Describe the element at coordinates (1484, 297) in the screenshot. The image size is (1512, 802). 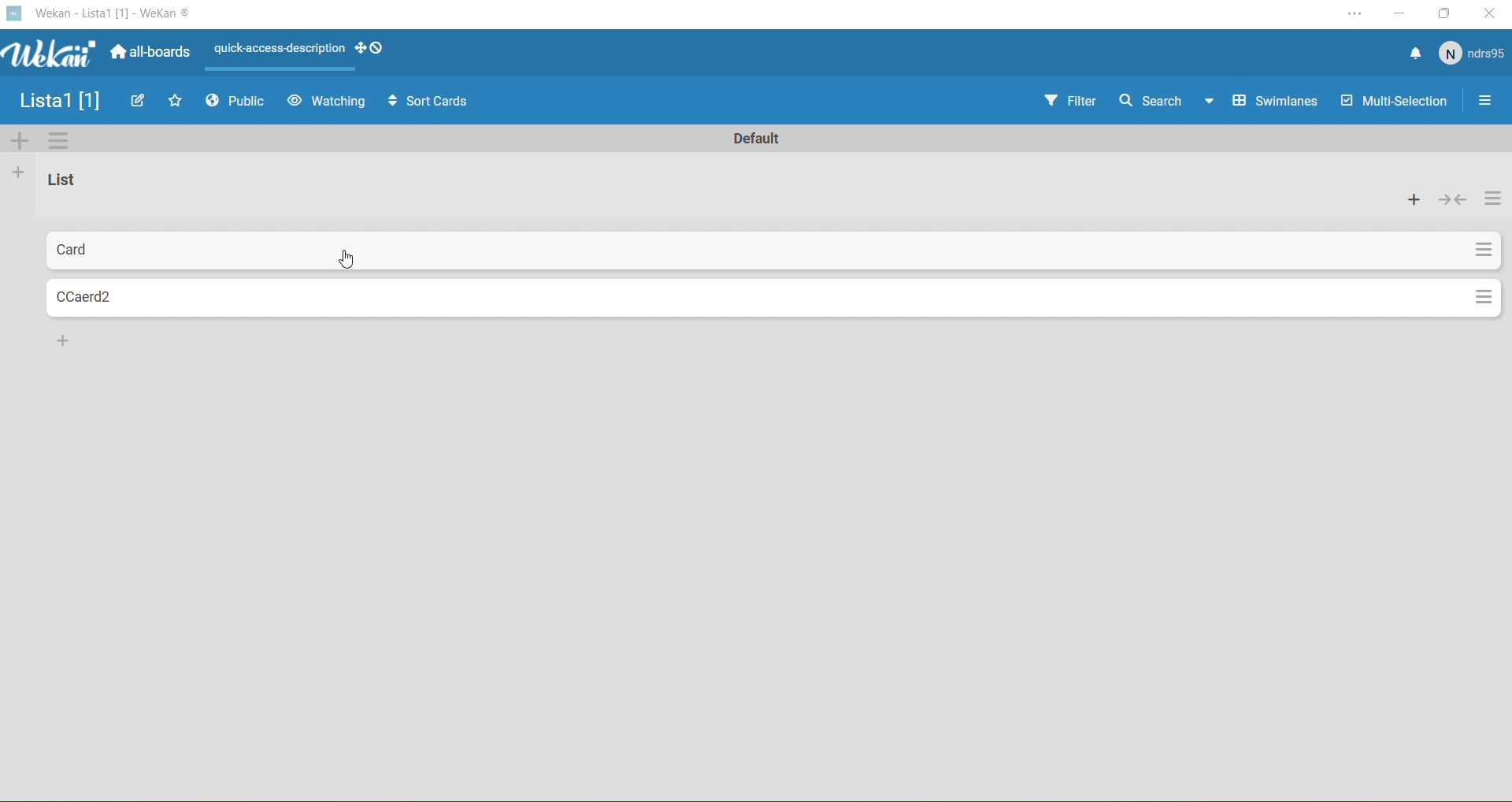
I see `Settings` at that location.